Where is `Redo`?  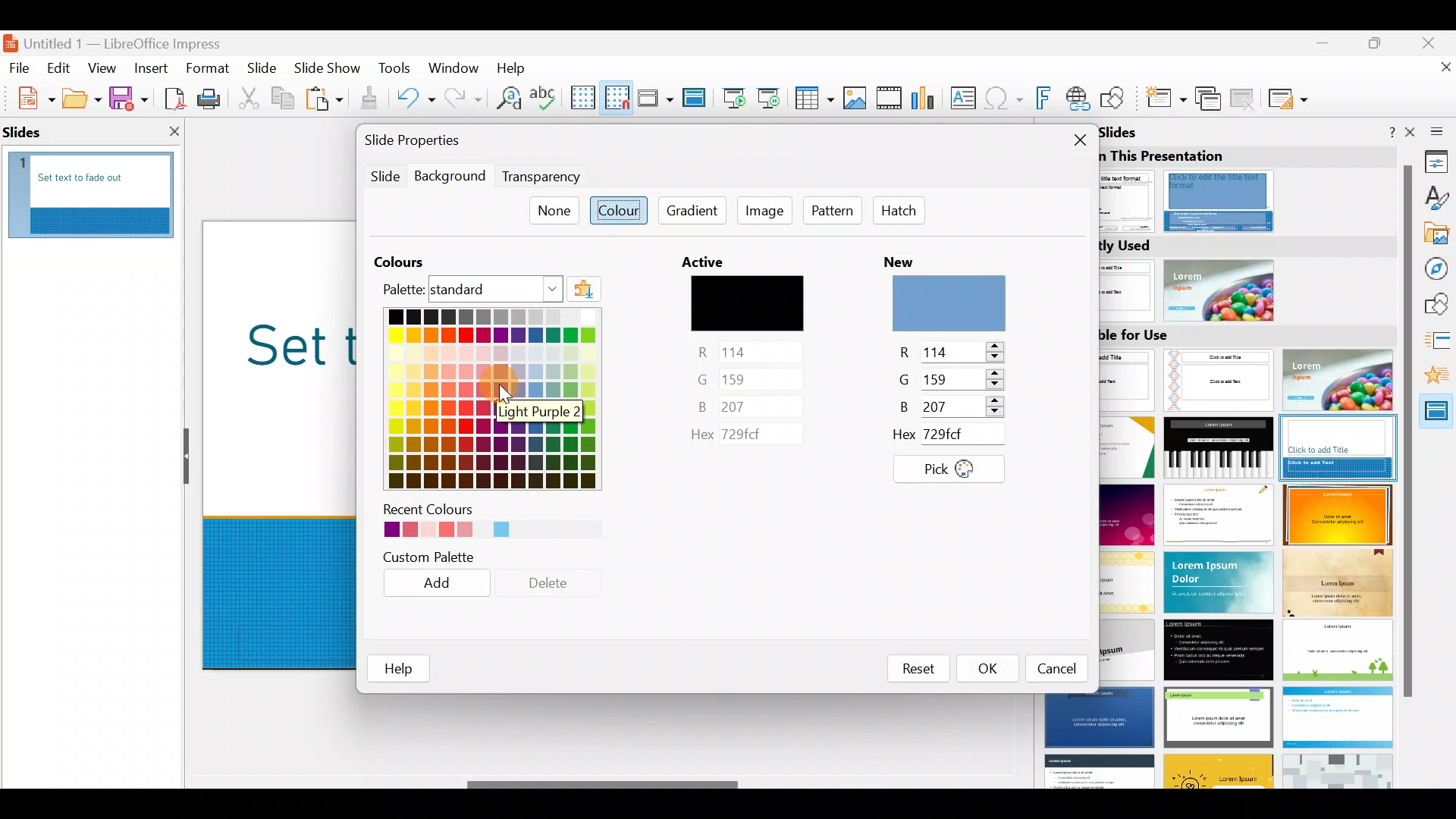
Redo is located at coordinates (461, 98).